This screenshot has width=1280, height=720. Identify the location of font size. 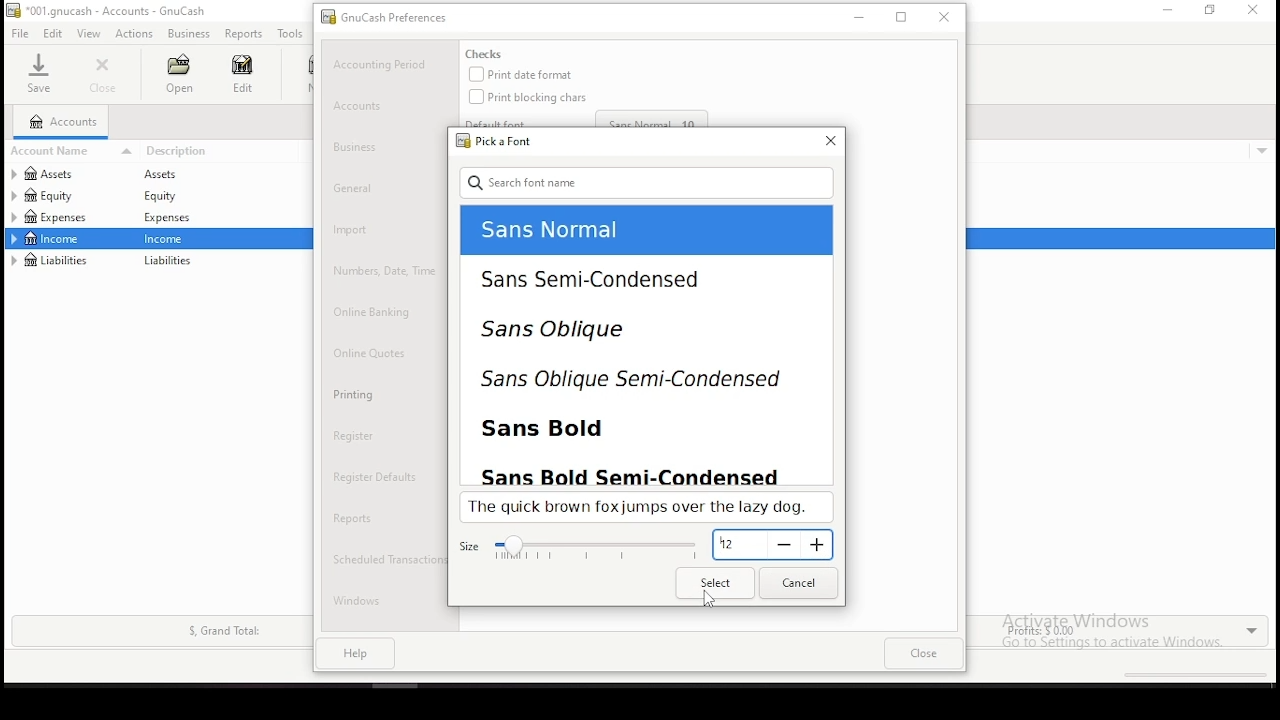
(772, 546).